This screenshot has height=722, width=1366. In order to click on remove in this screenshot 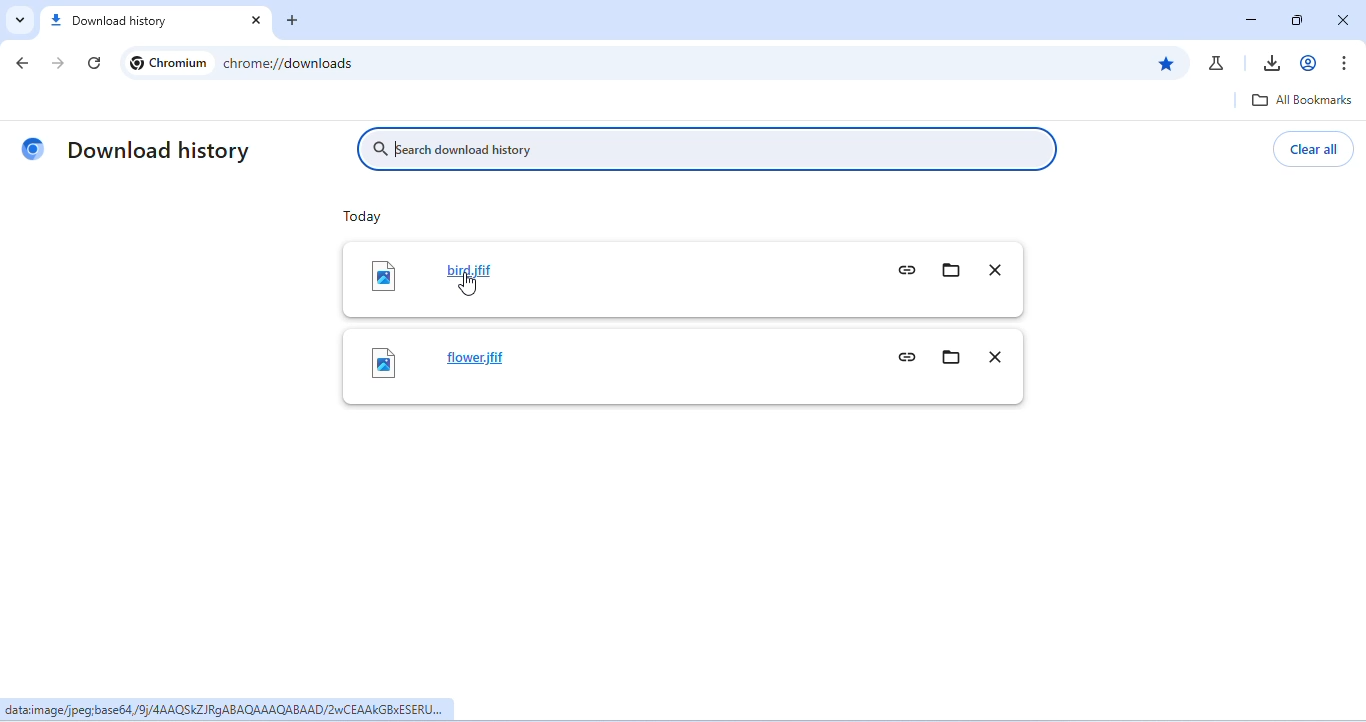, I will do `click(996, 358)`.